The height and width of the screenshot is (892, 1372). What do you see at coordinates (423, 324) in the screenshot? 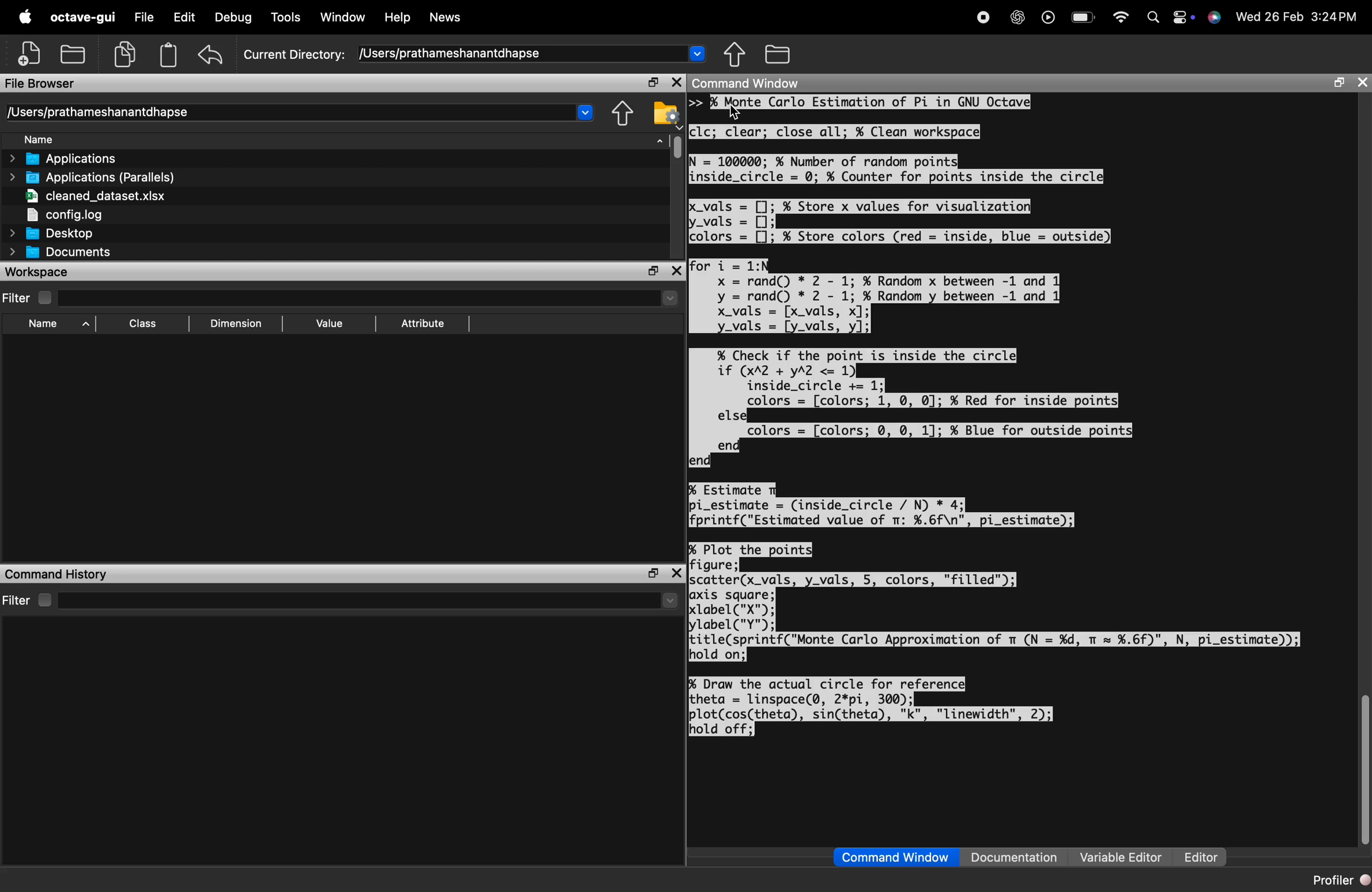
I see `Attribute` at bounding box center [423, 324].